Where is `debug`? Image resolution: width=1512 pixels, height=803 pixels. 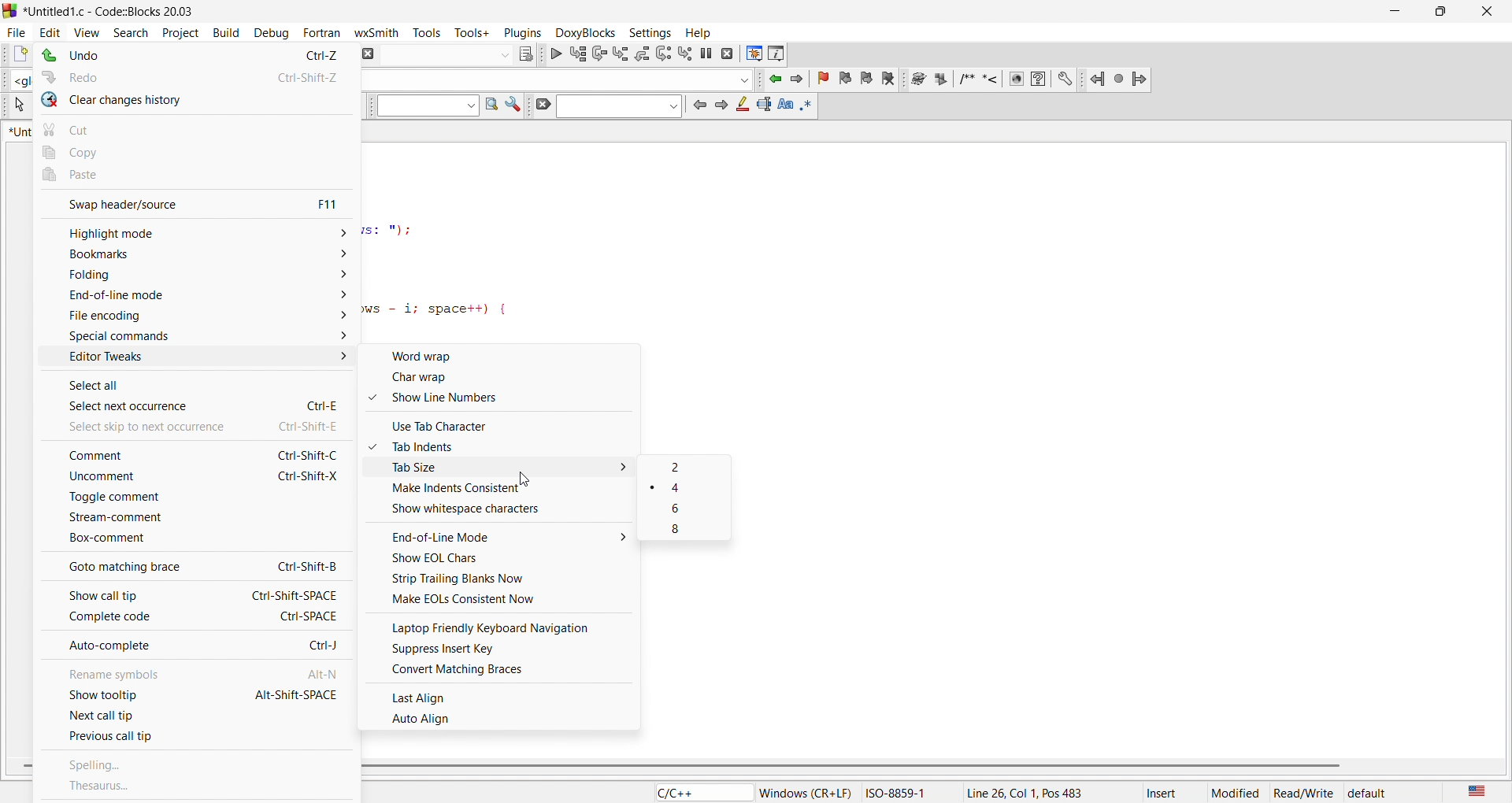
debug is located at coordinates (272, 31).